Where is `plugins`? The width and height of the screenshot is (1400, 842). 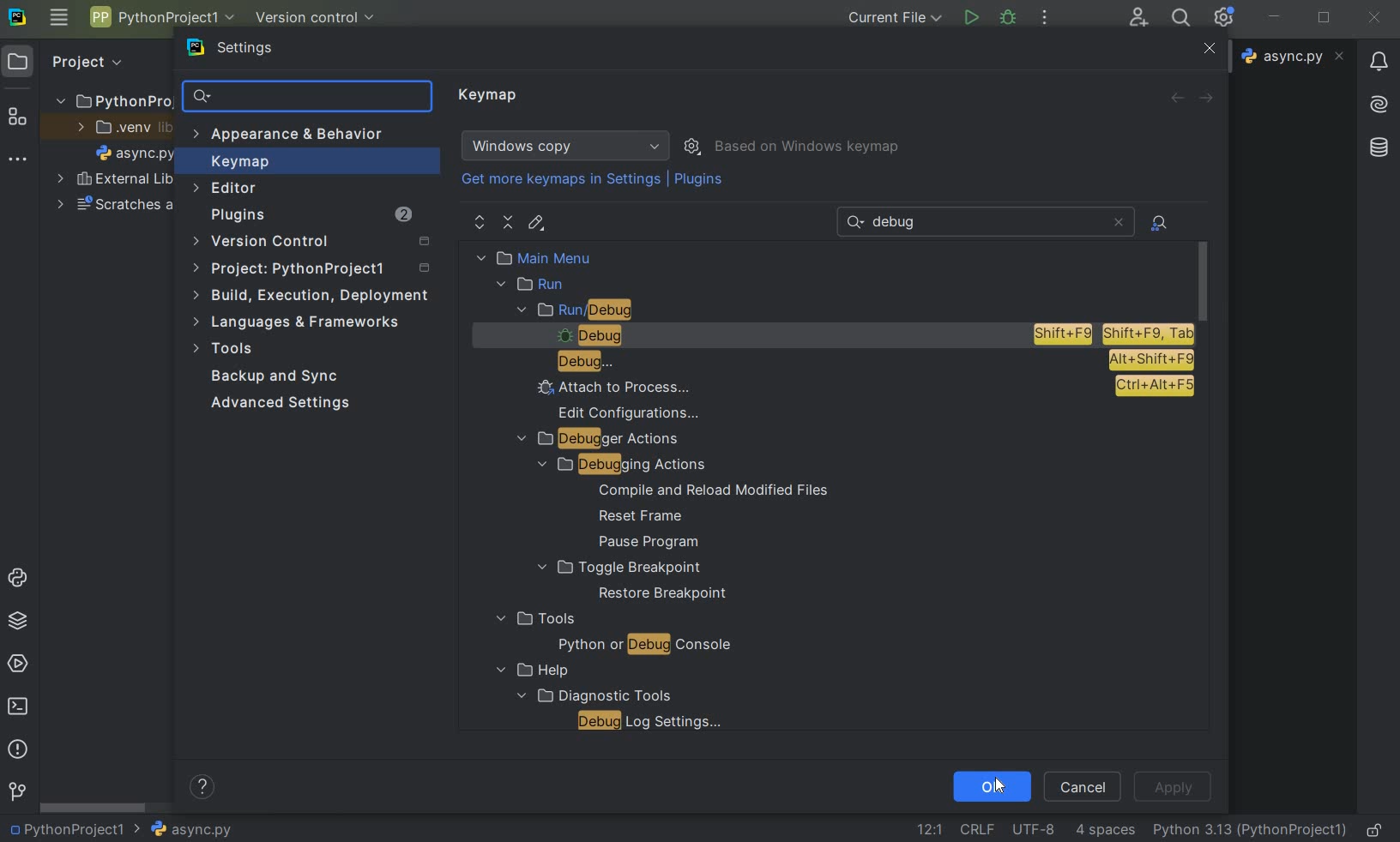 plugins is located at coordinates (310, 217).